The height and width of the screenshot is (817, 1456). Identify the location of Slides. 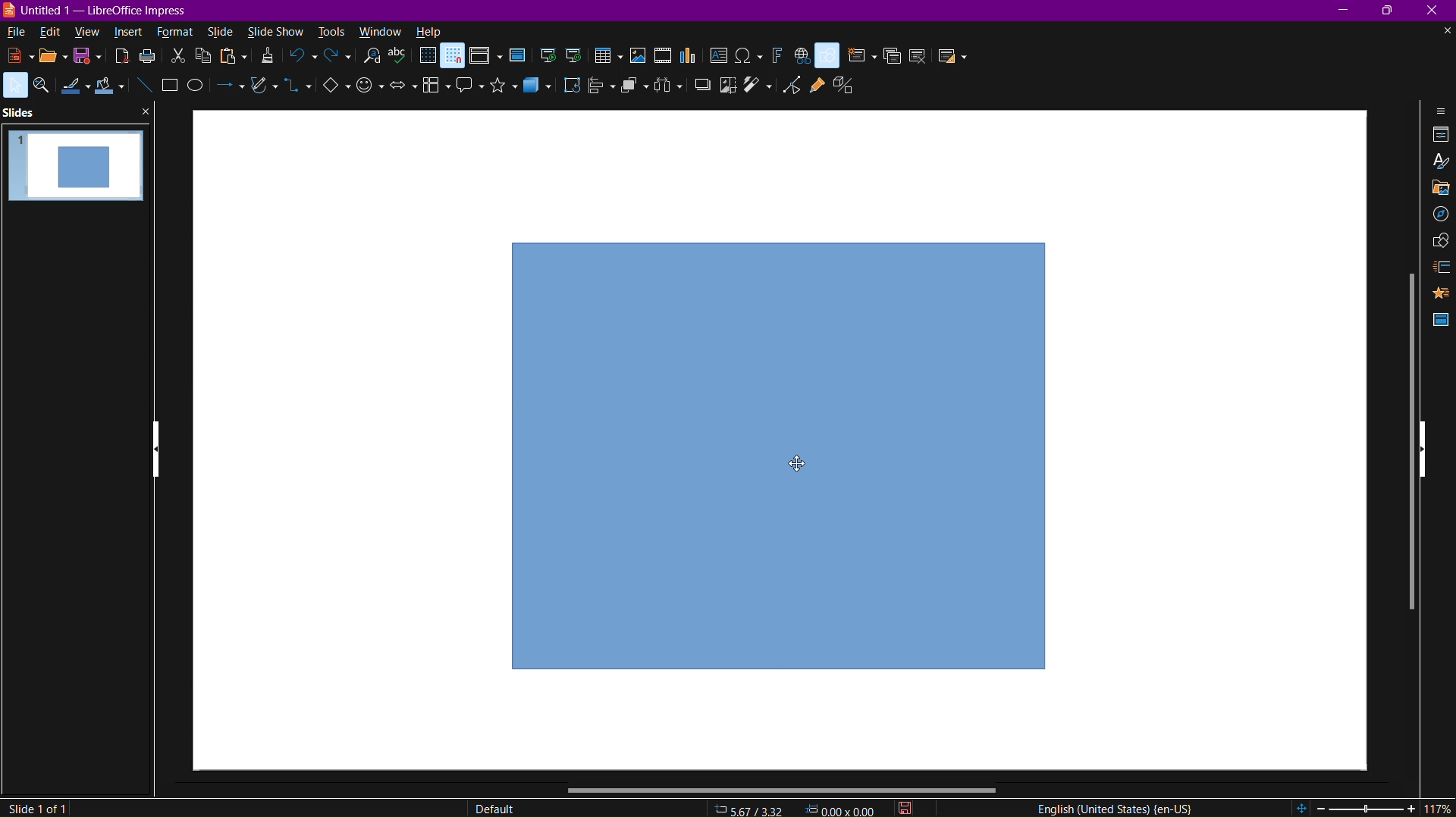
(20, 113).